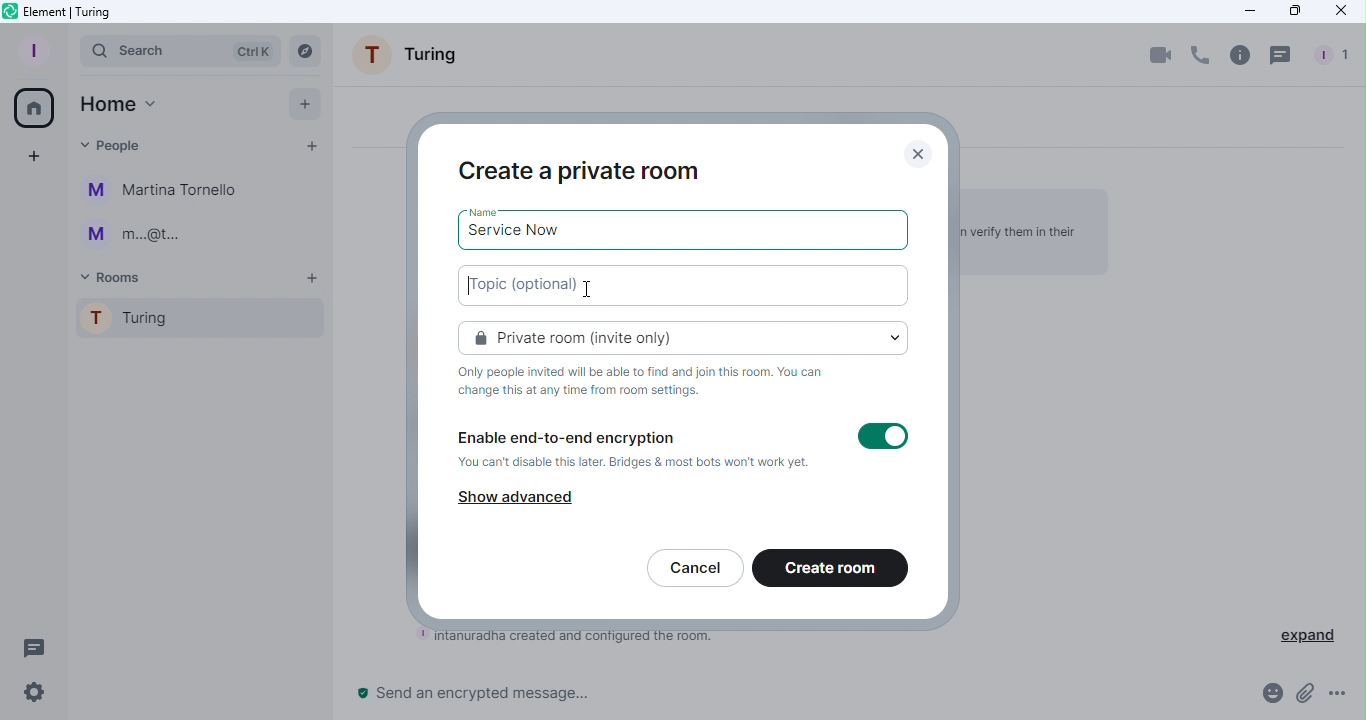 Image resolution: width=1366 pixels, height=720 pixels. Describe the element at coordinates (310, 149) in the screenshot. I see `Start chat` at that location.